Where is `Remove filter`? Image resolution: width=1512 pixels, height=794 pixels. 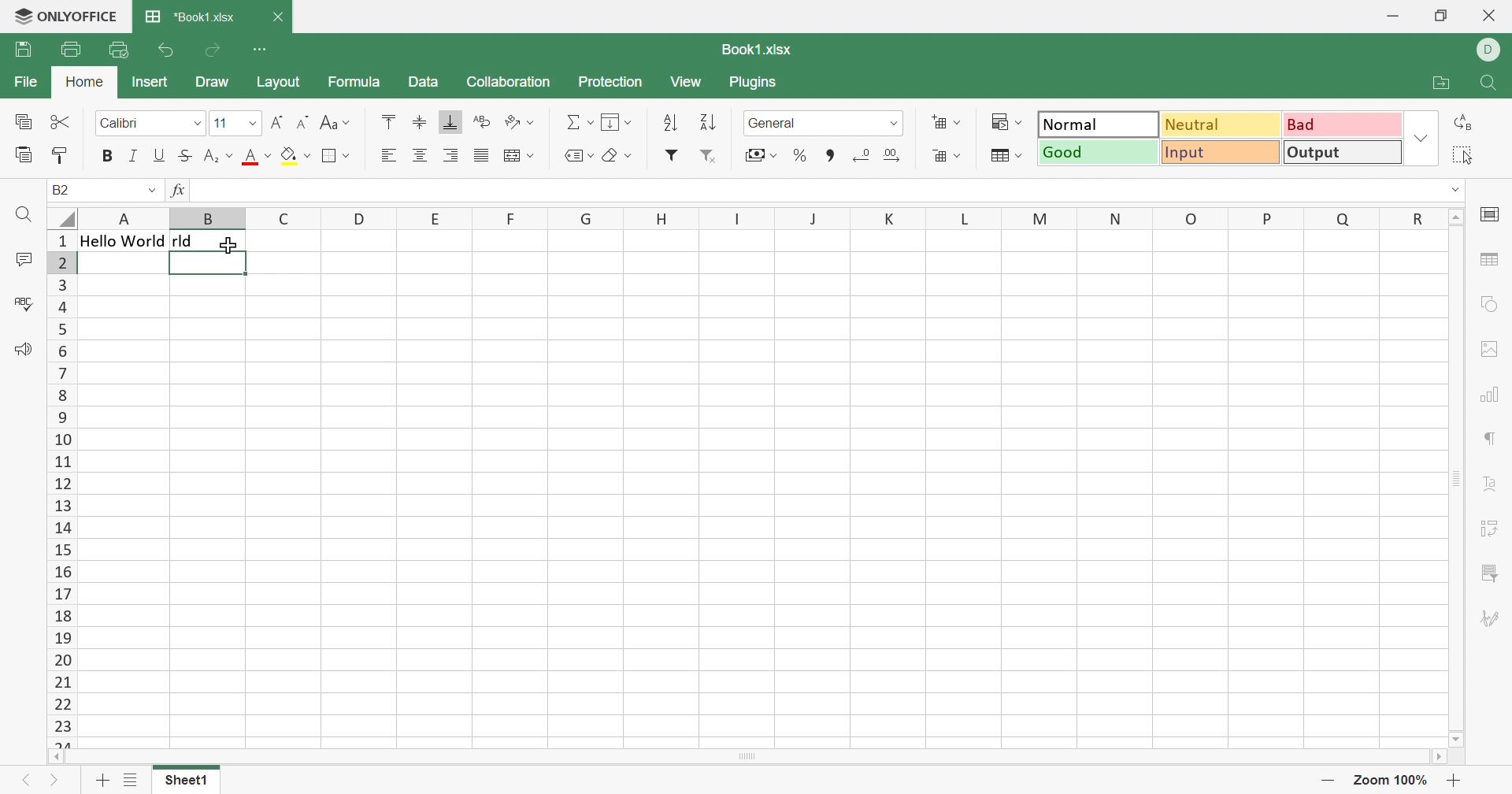 Remove filter is located at coordinates (707, 155).